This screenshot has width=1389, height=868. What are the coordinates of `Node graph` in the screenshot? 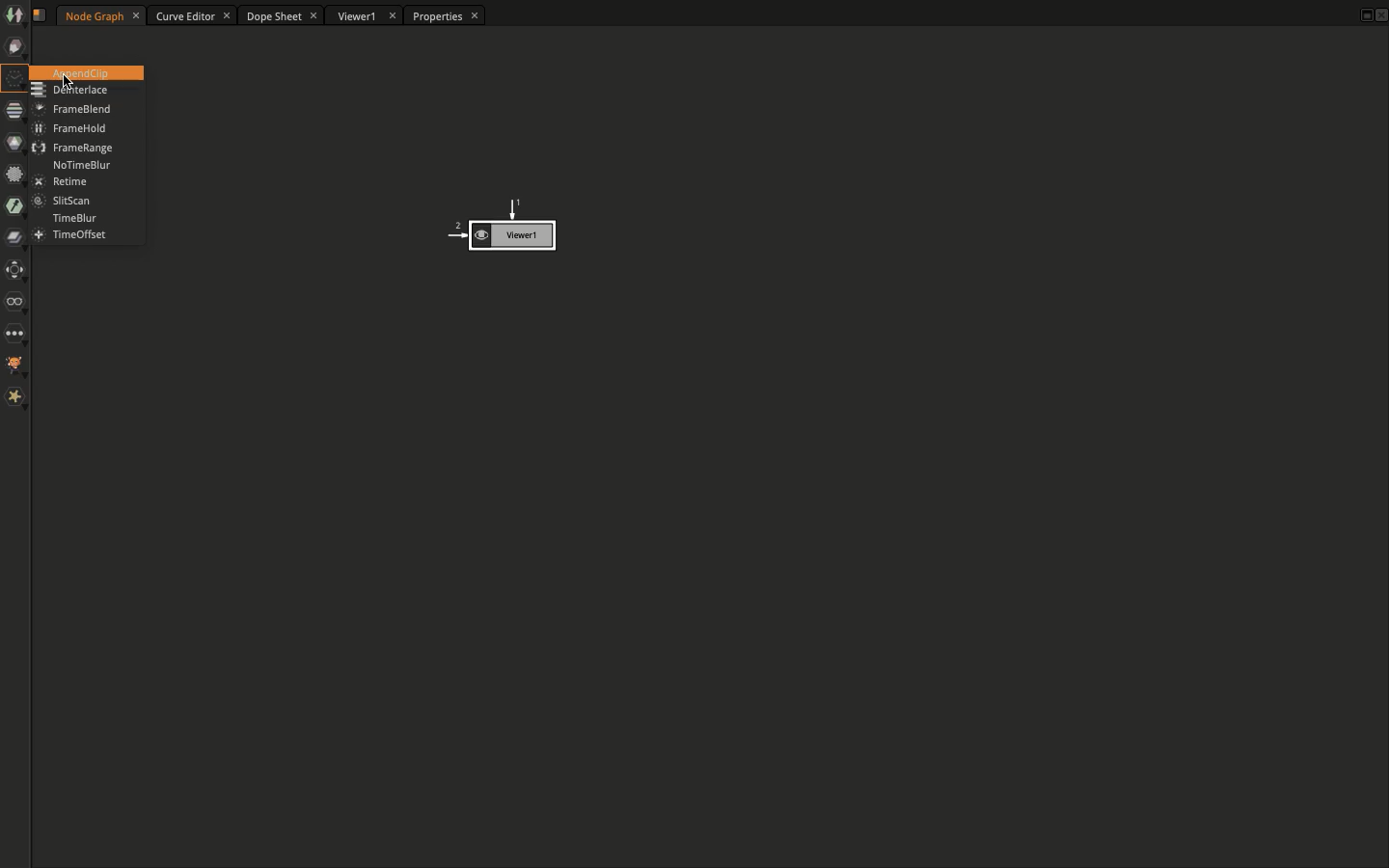 It's located at (102, 14).